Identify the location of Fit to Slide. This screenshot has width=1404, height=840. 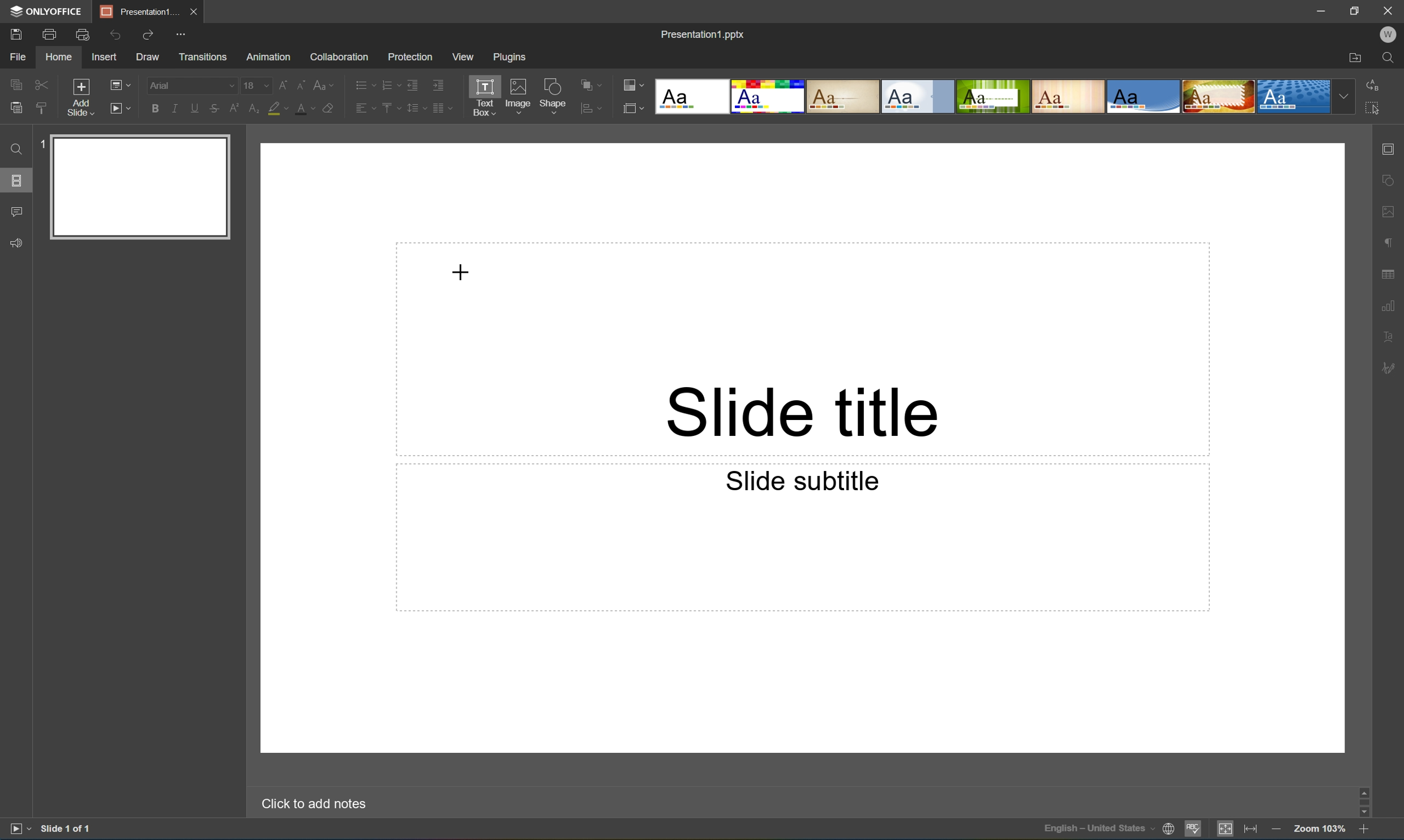
(1228, 829).